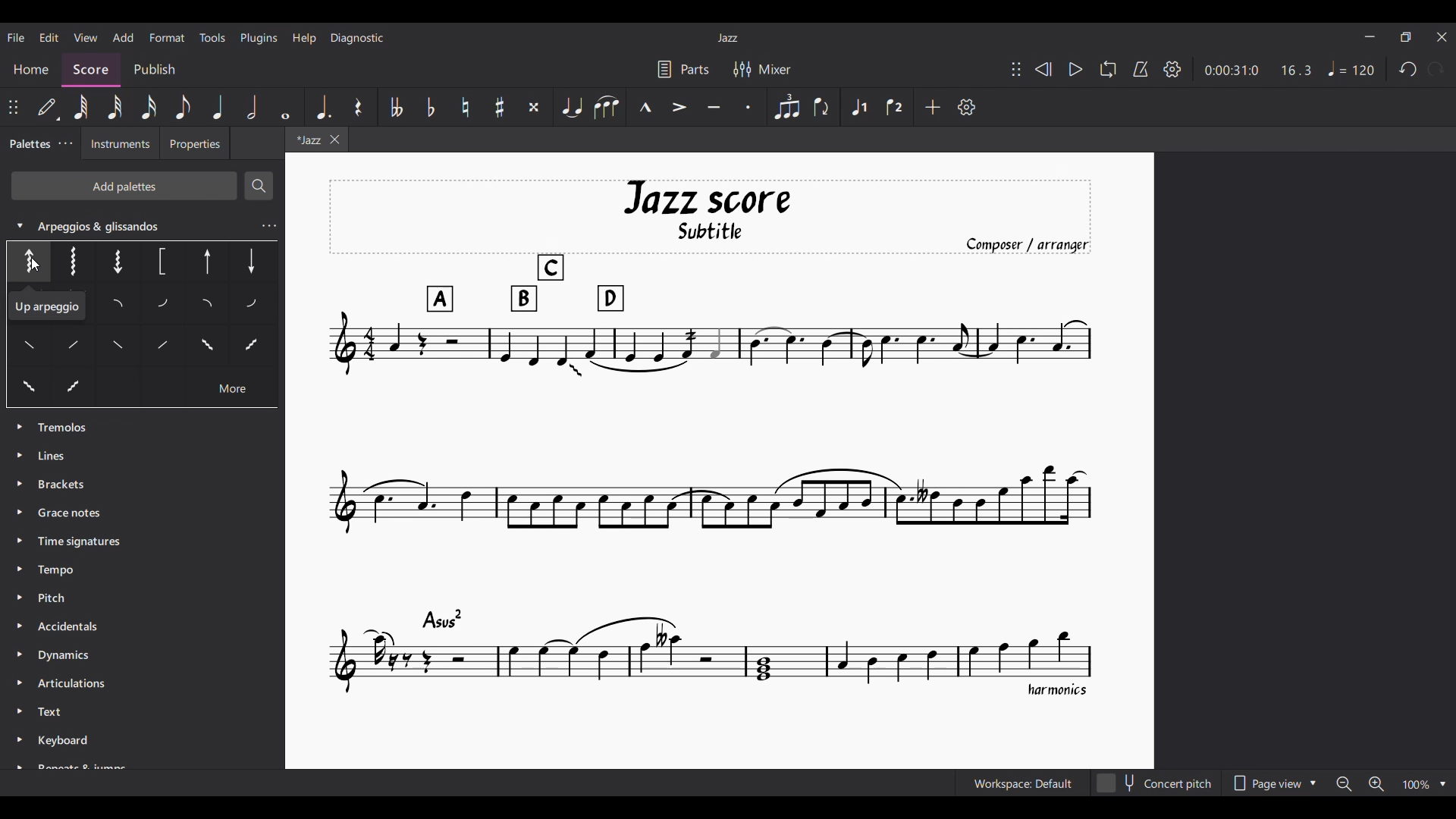  Describe the element at coordinates (205, 263) in the screenshot. I see `` at that location.